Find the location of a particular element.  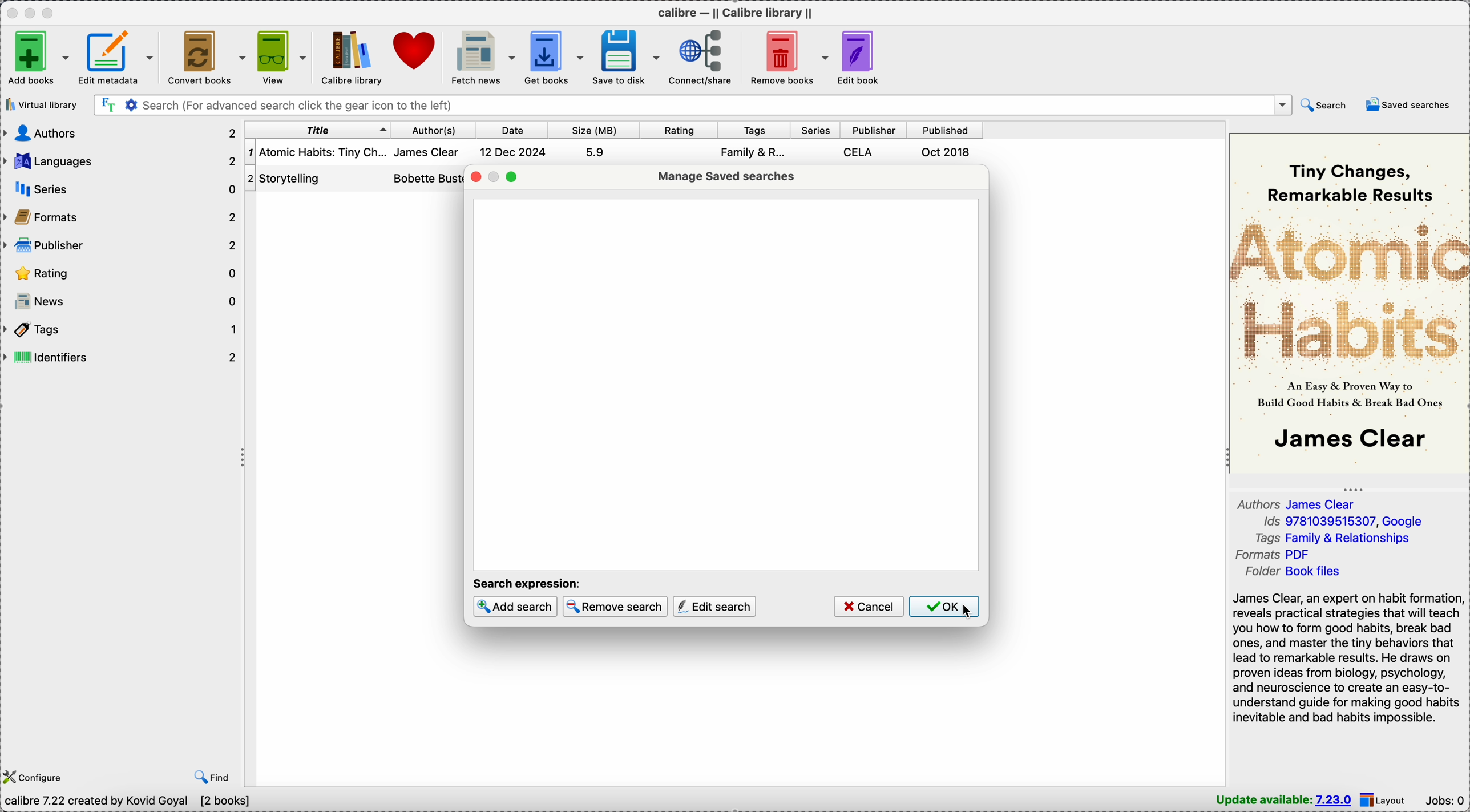

book cover preview is located at coordinates (1350, 301).